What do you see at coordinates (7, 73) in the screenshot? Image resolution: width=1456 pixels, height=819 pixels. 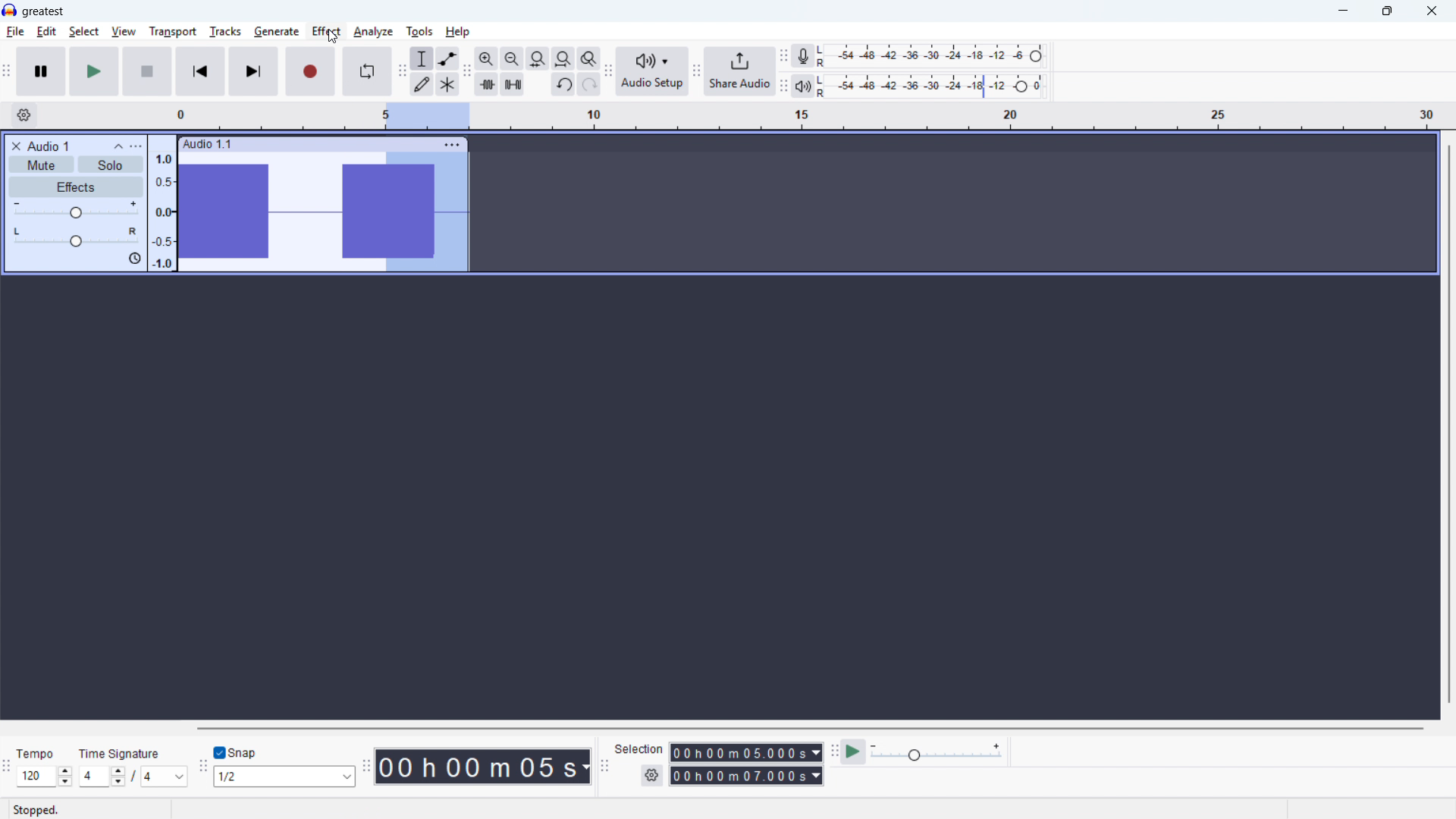 I see `transport toolbar` at bounding box center [7, 73].